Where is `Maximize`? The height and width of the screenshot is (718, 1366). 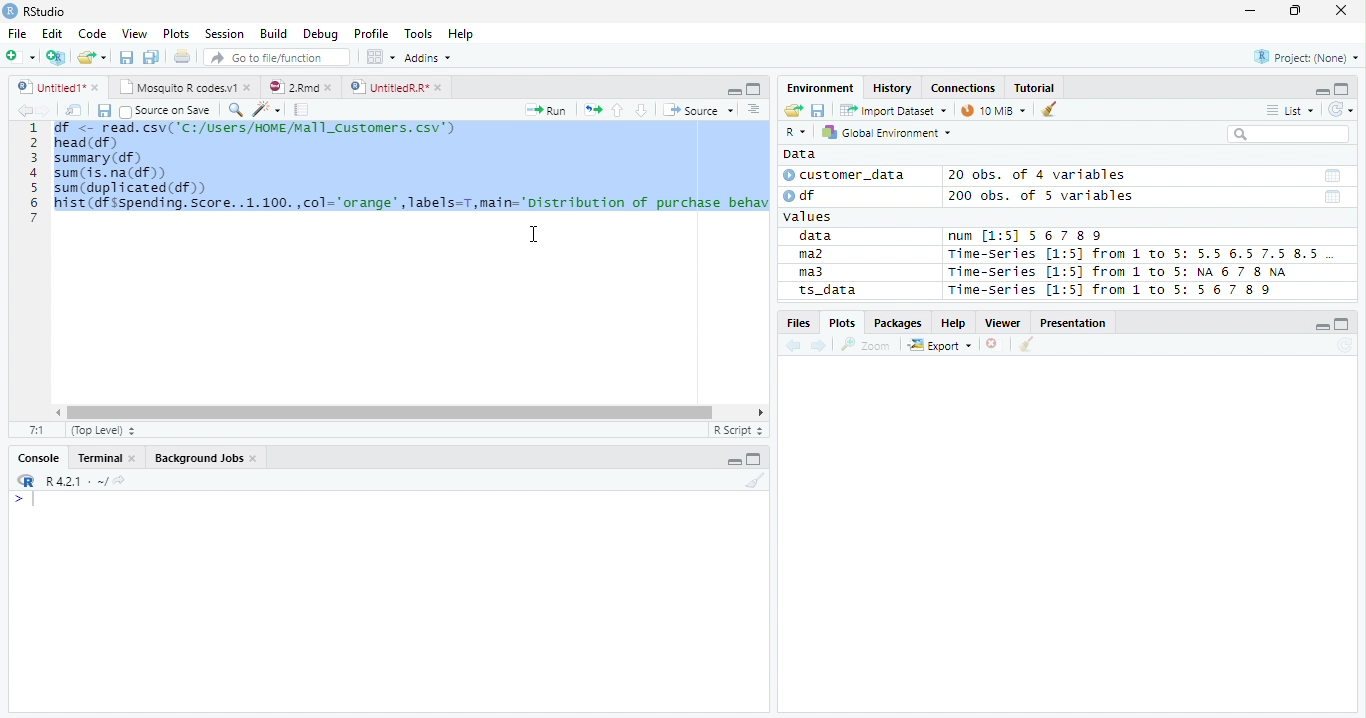 Maximize is located at coordinates (1343, 89).